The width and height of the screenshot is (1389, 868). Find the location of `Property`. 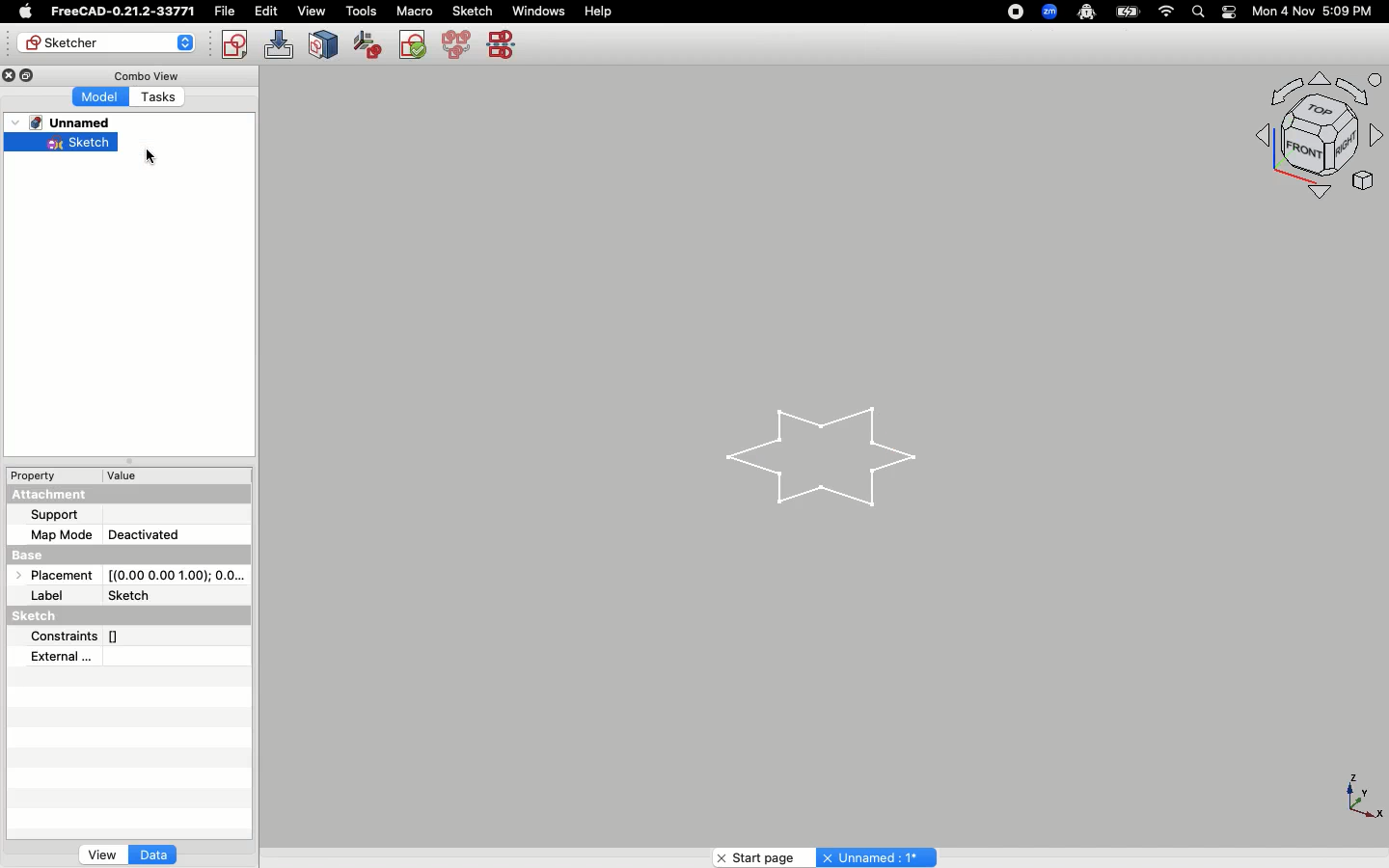

Property is located at coordinates (53, 476).